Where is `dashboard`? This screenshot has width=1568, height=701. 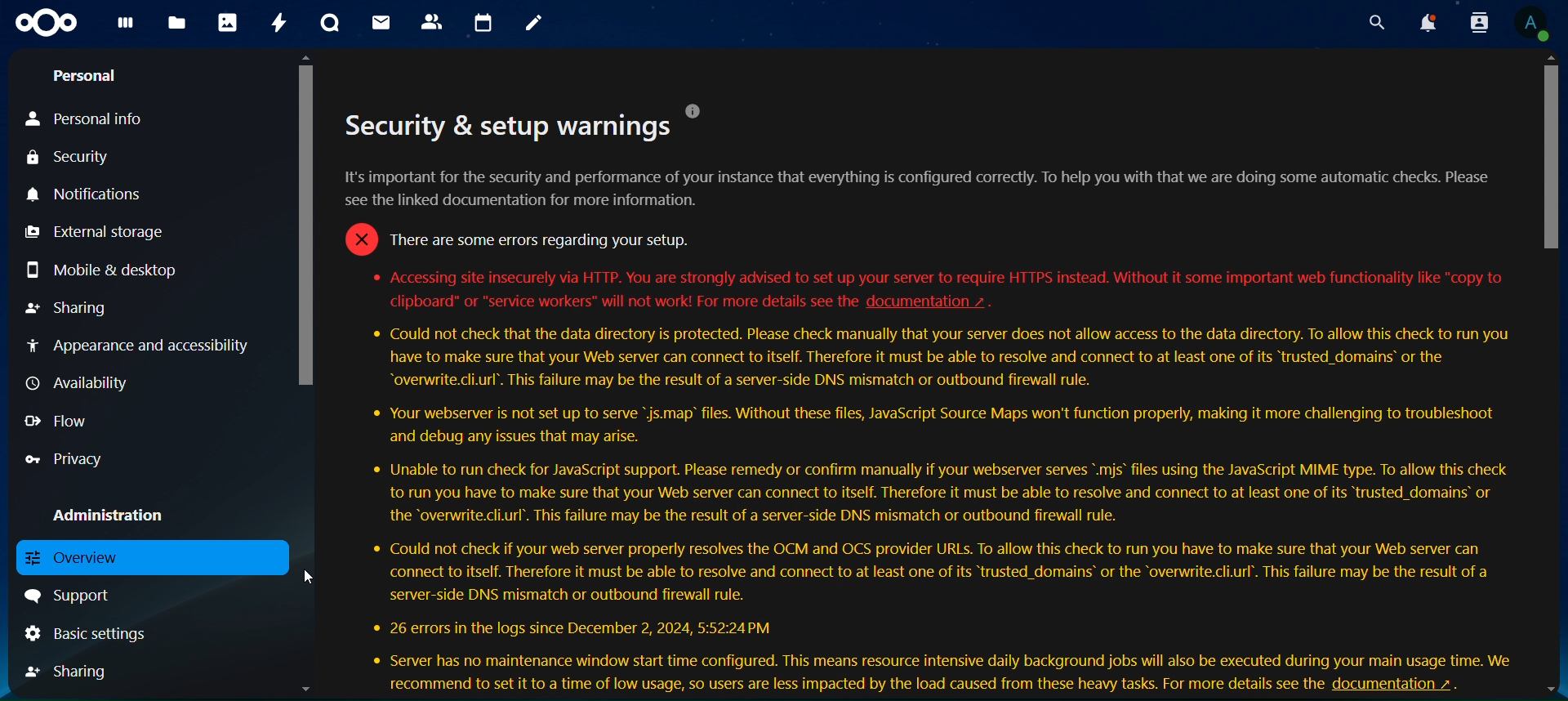 dashboard is located at coordinates (127, 26).